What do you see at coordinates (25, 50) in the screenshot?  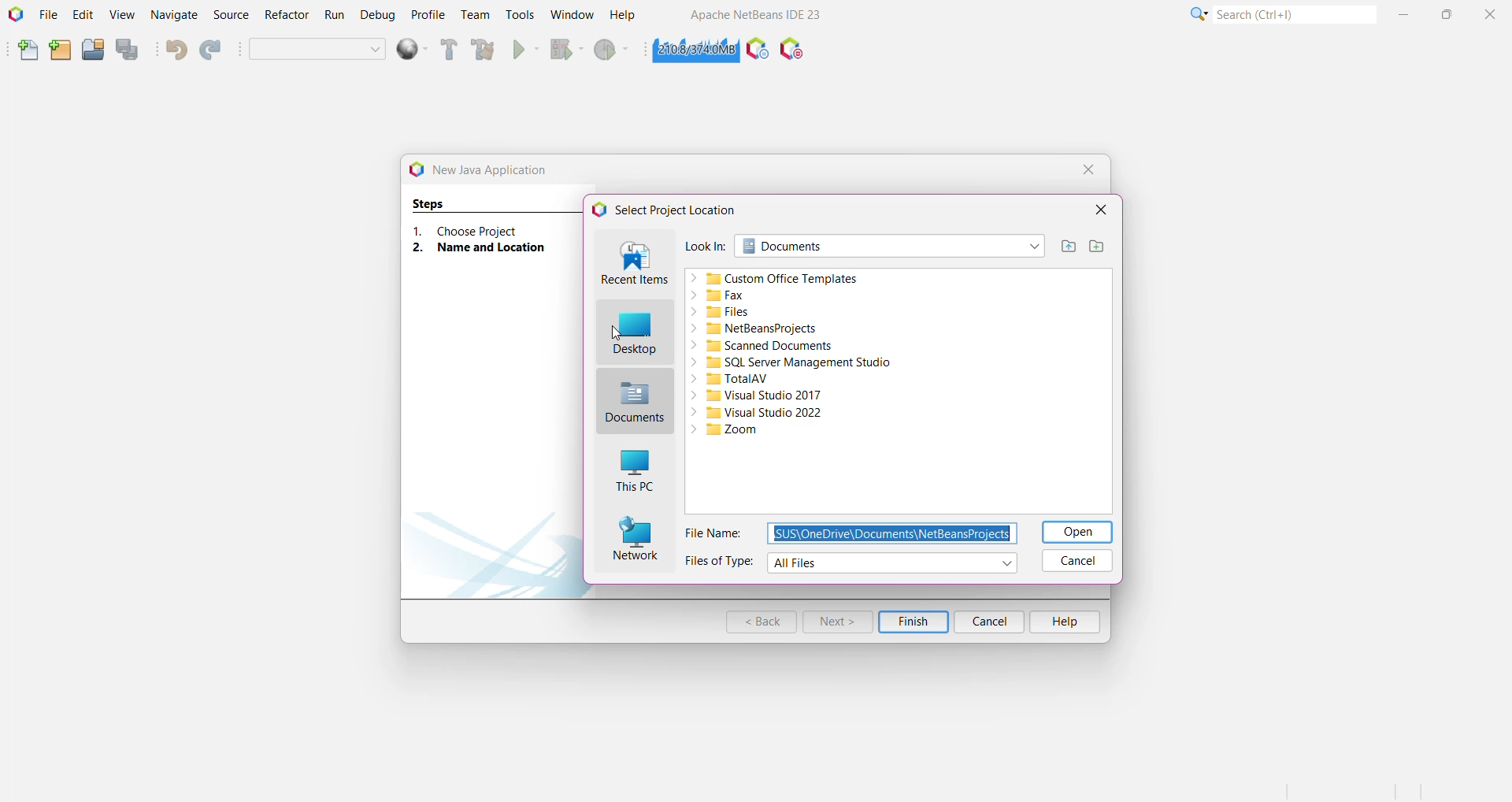 I see `New File` at bounding box center [25, 50].